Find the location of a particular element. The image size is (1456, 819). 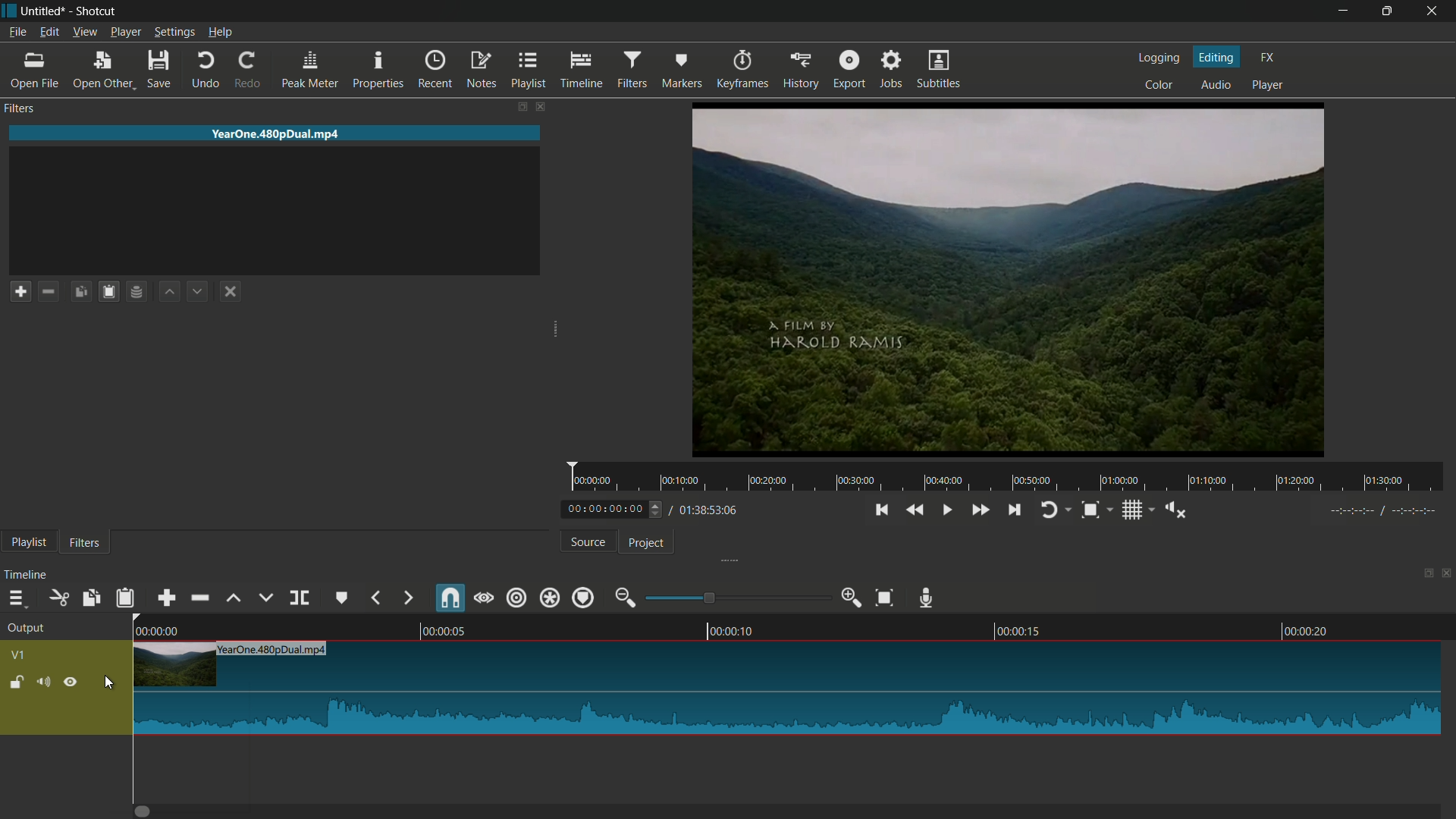

help menu is located at coordinates (220, 32).